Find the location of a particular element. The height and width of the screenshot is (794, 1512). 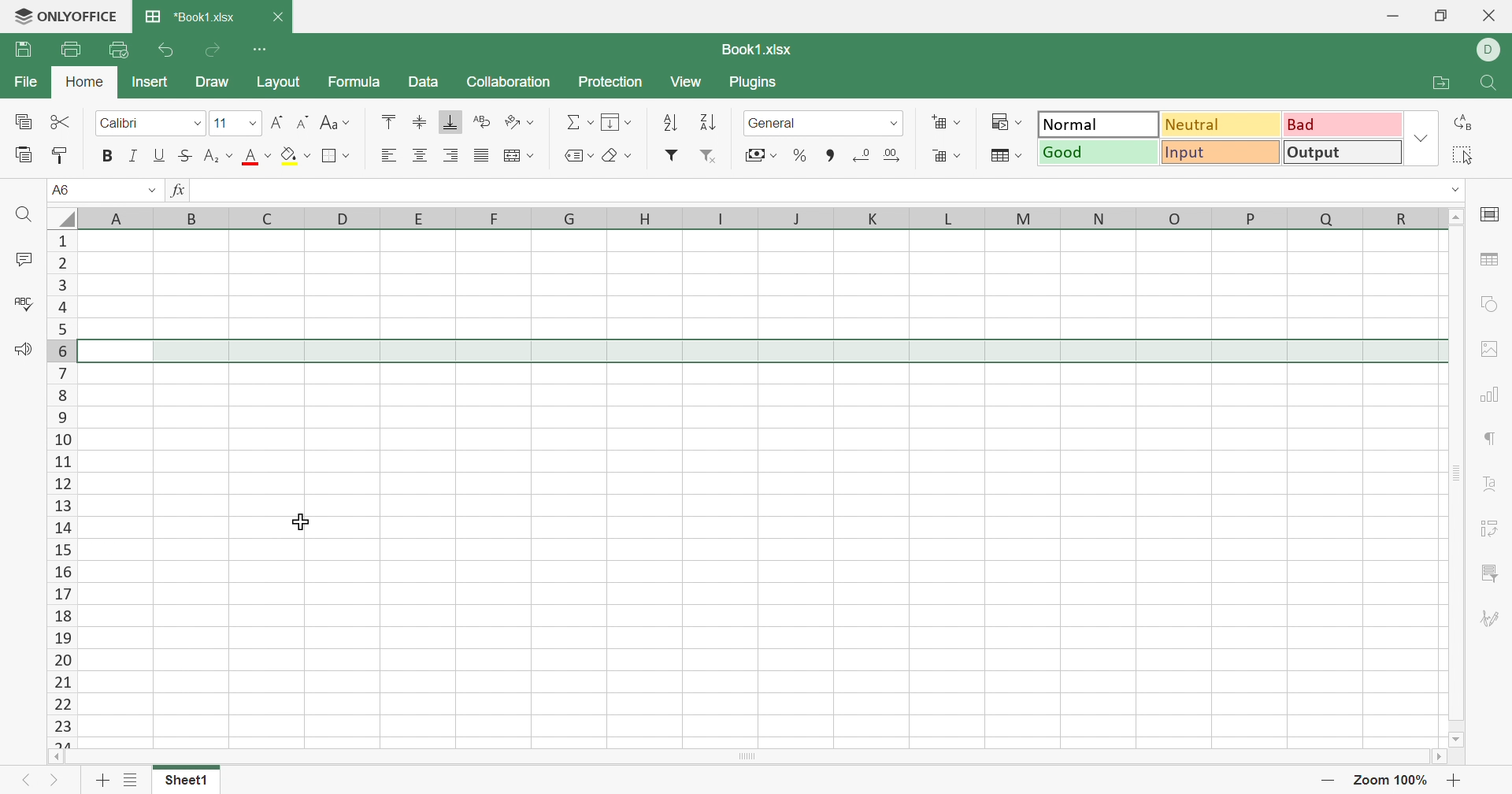

Decrement font size is located at coordinates (300, 124).